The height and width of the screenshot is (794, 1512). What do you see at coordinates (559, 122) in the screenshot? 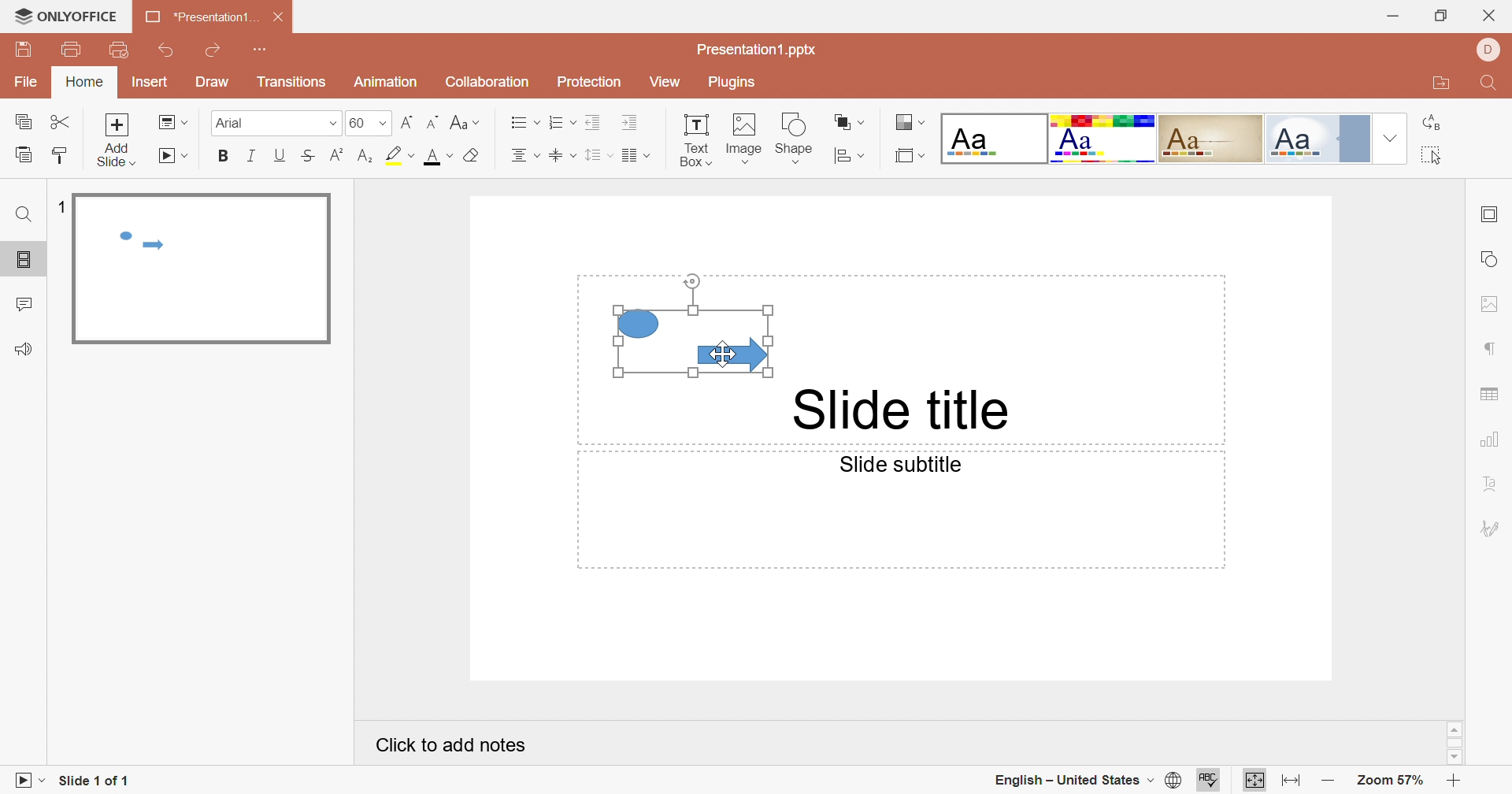
I see `Numbering` at bounding box center [559, 122].